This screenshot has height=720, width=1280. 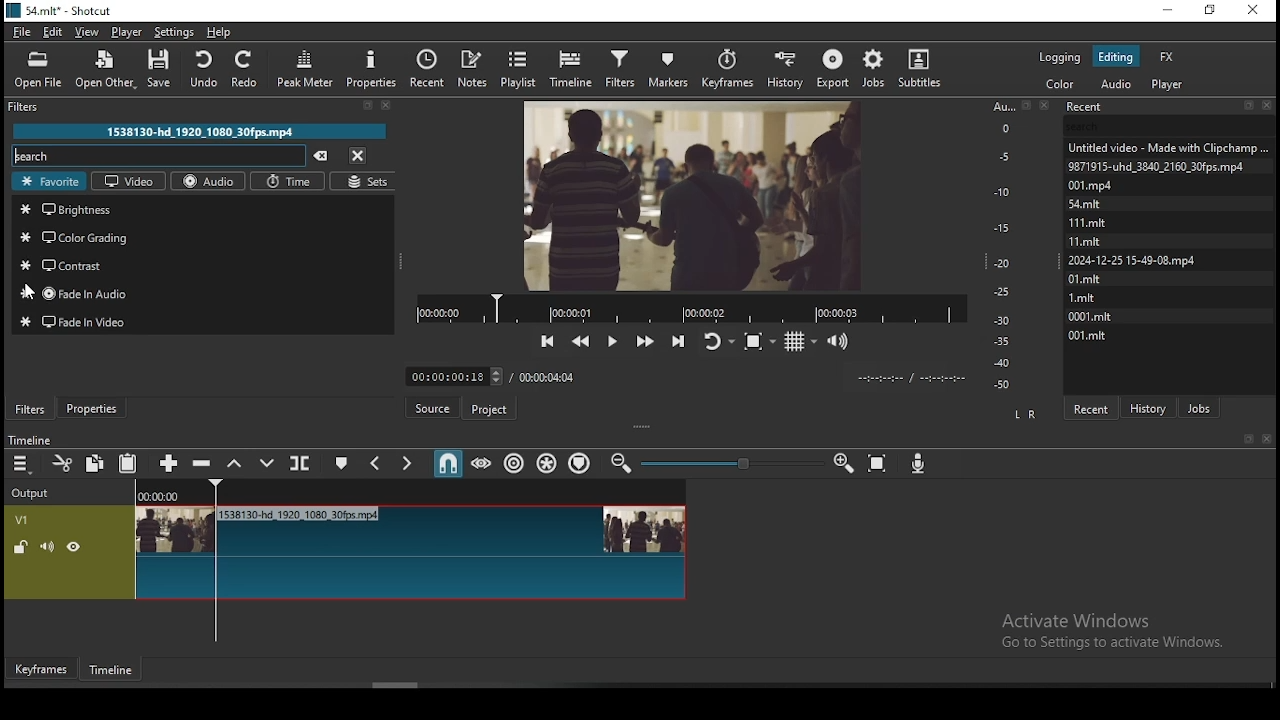 I want to click on create/edit marker, so click(x=342, y=461).